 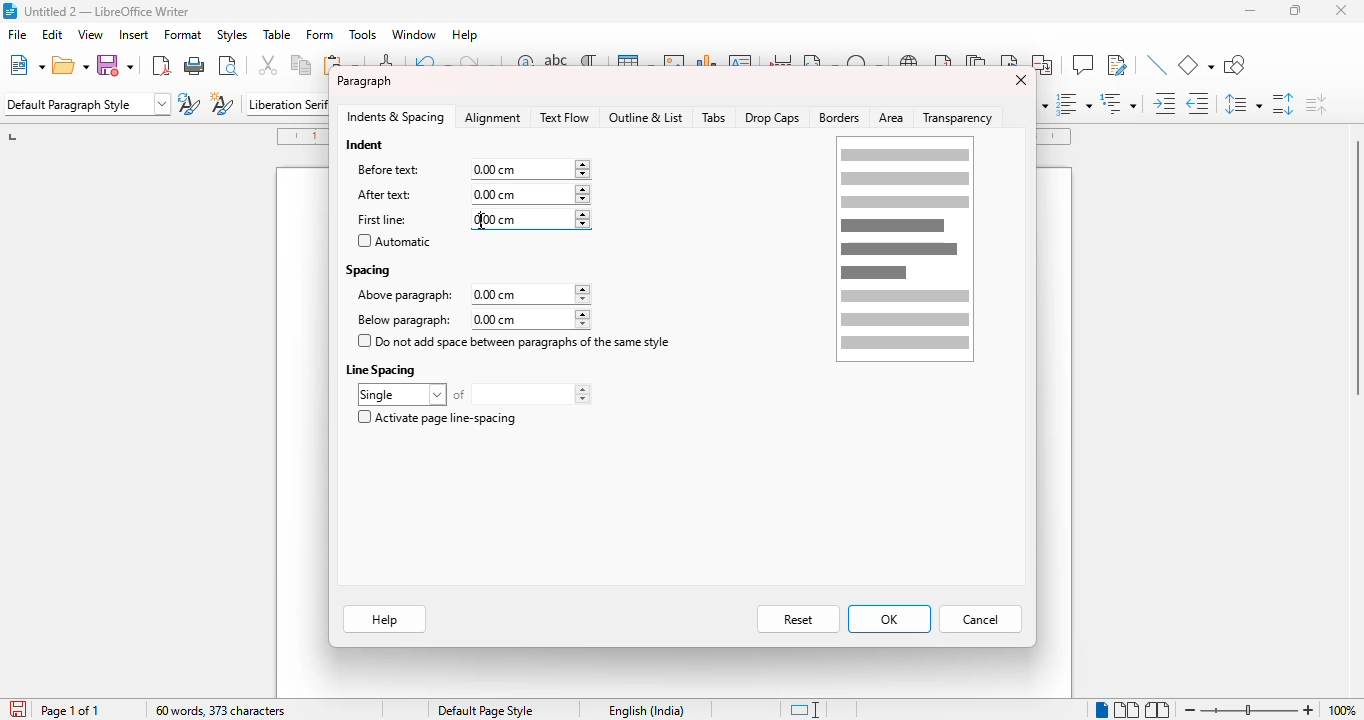 What do you see at coordinates (494, 118) in the screenshot?
I see `alignment` at bounding box center [494, 118].